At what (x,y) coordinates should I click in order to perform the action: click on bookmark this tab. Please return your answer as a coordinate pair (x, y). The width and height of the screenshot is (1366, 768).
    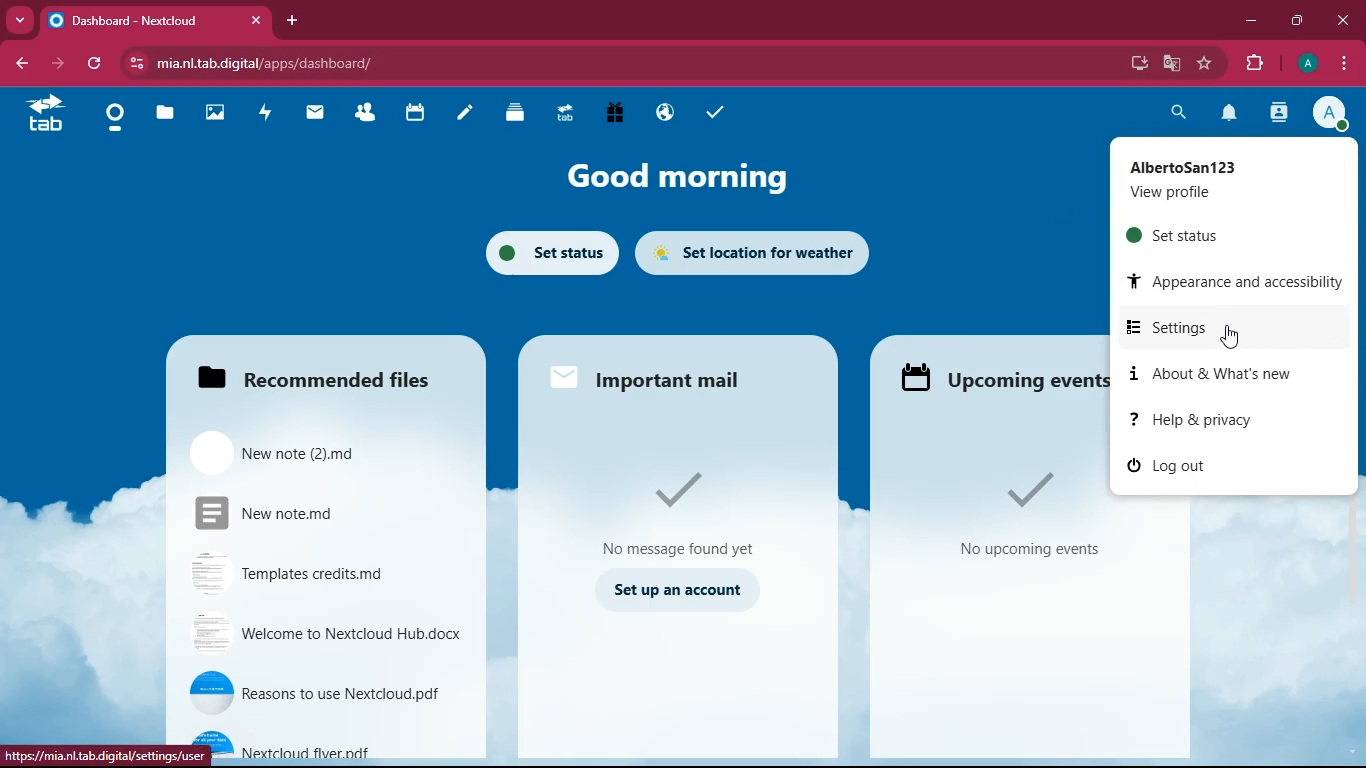
    Looking at the image, I should click on (1205, 61).